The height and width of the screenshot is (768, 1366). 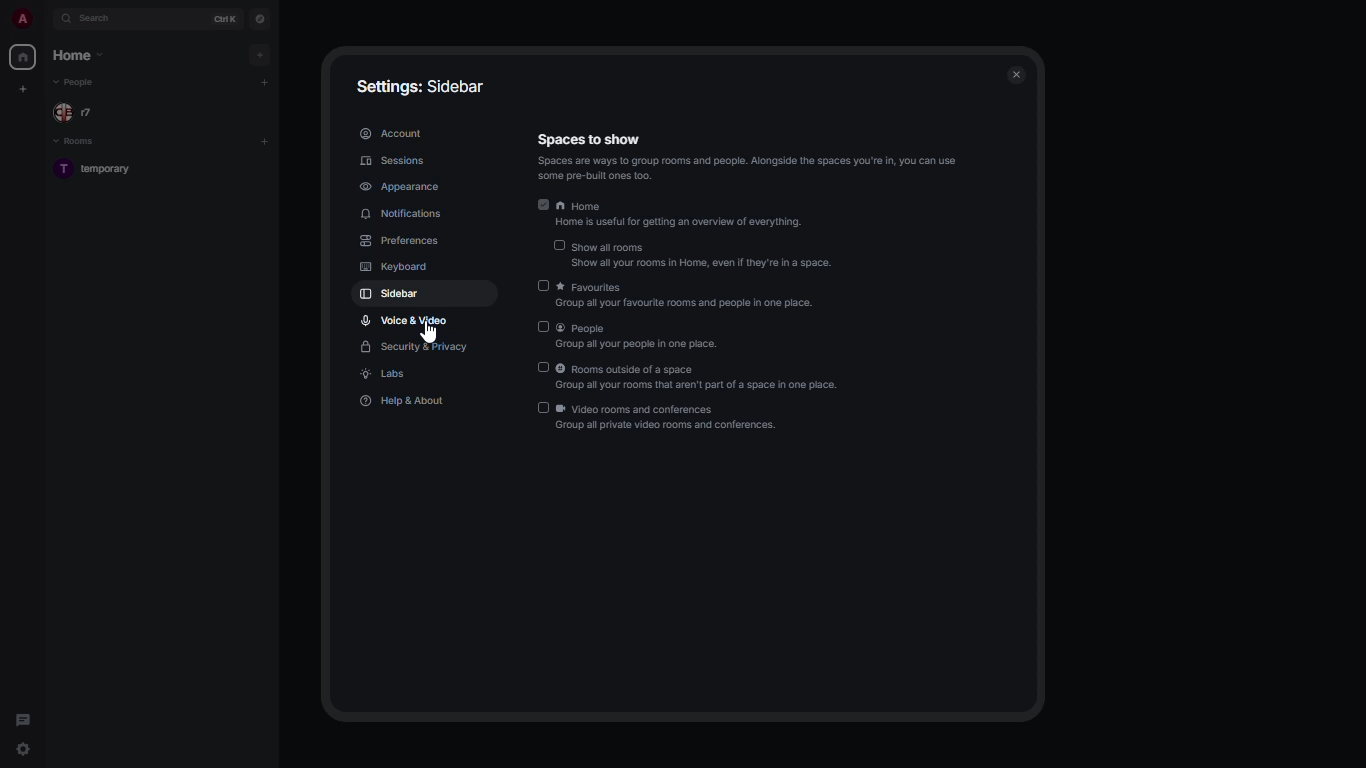 I want to click on security & privacy, so click(x=418, y=350).